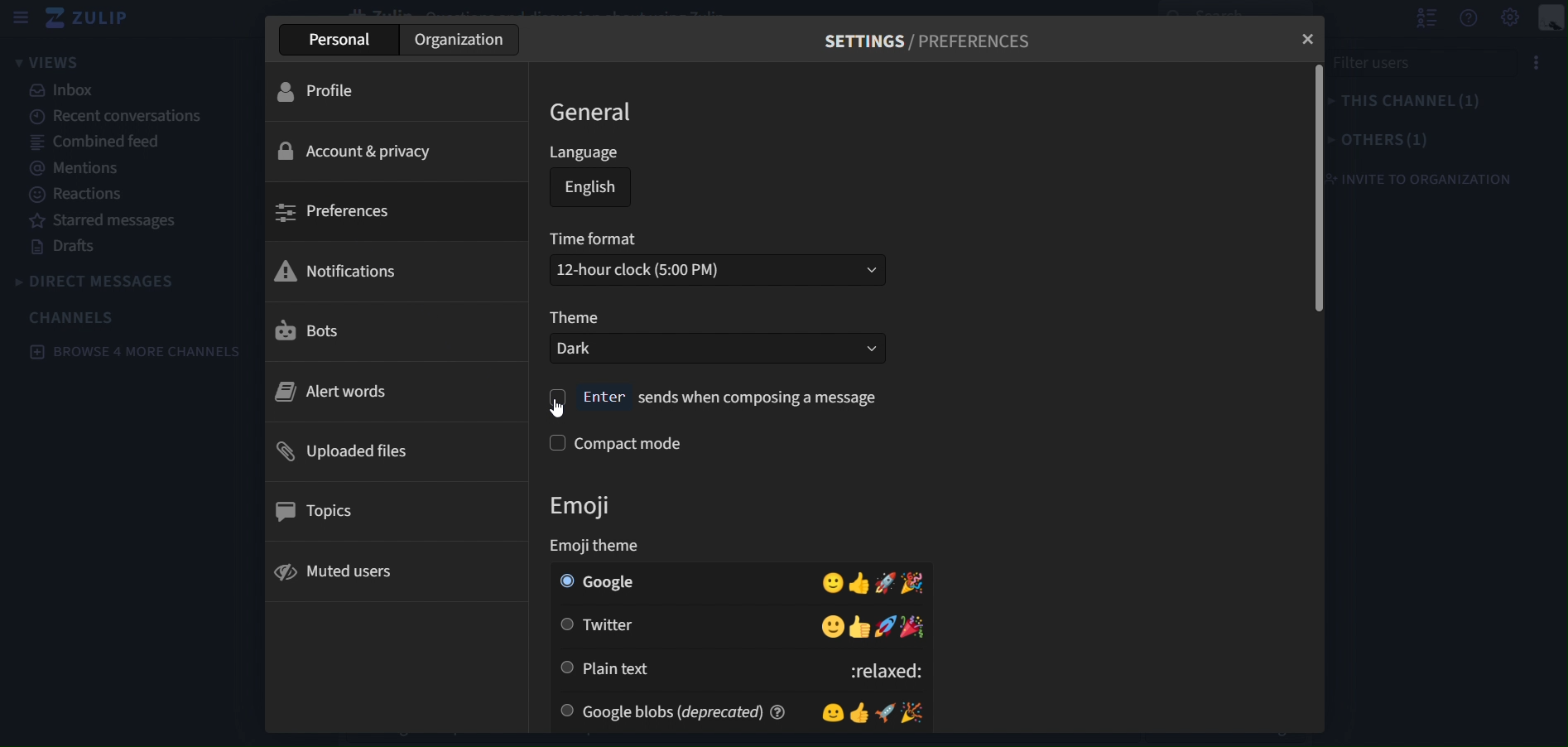 The height and width of the screenshot is (747, 1568). I want to click on Emojis, so click(871, 711).